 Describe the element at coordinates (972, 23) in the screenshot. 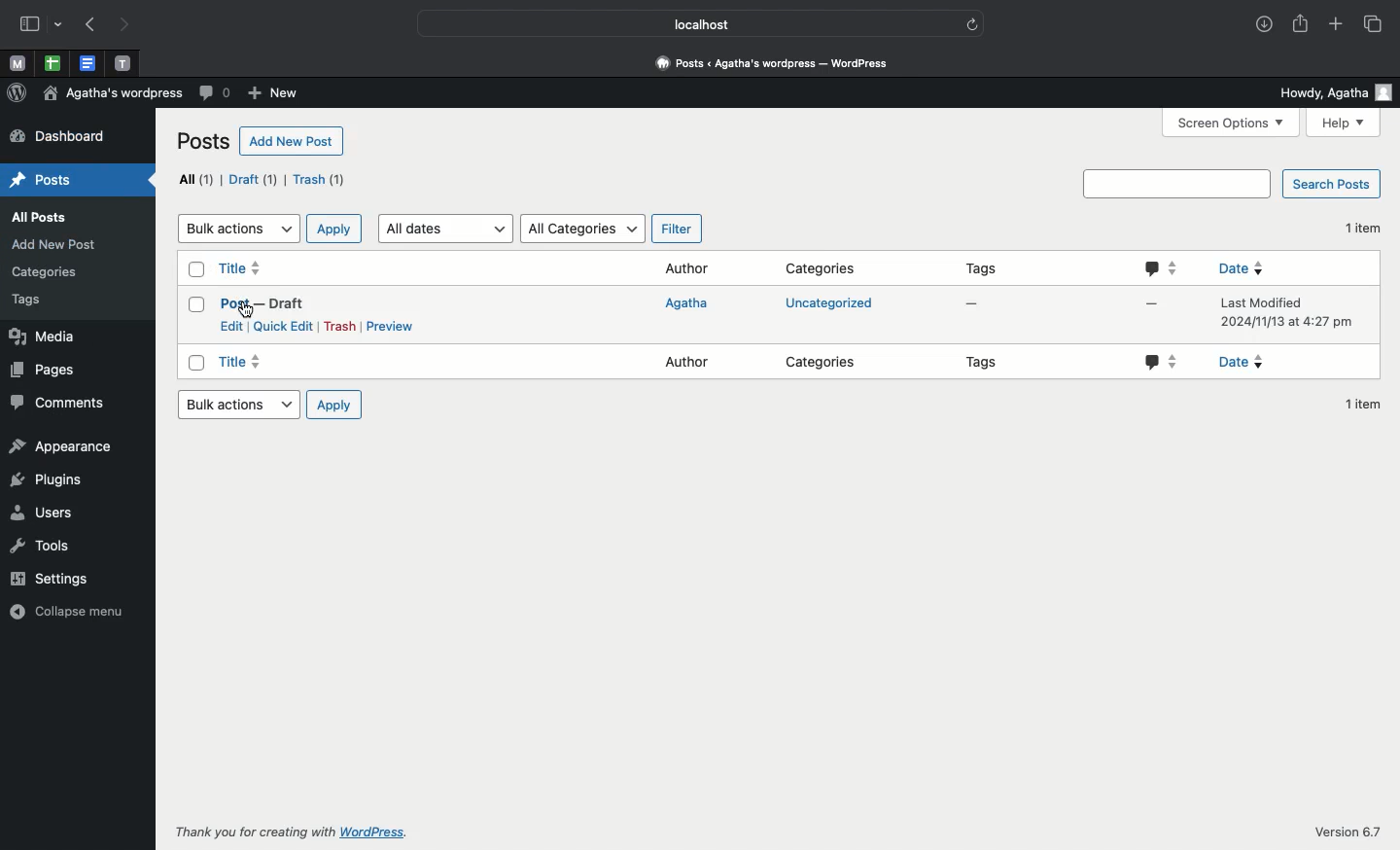

I see `Refresh` at that location.